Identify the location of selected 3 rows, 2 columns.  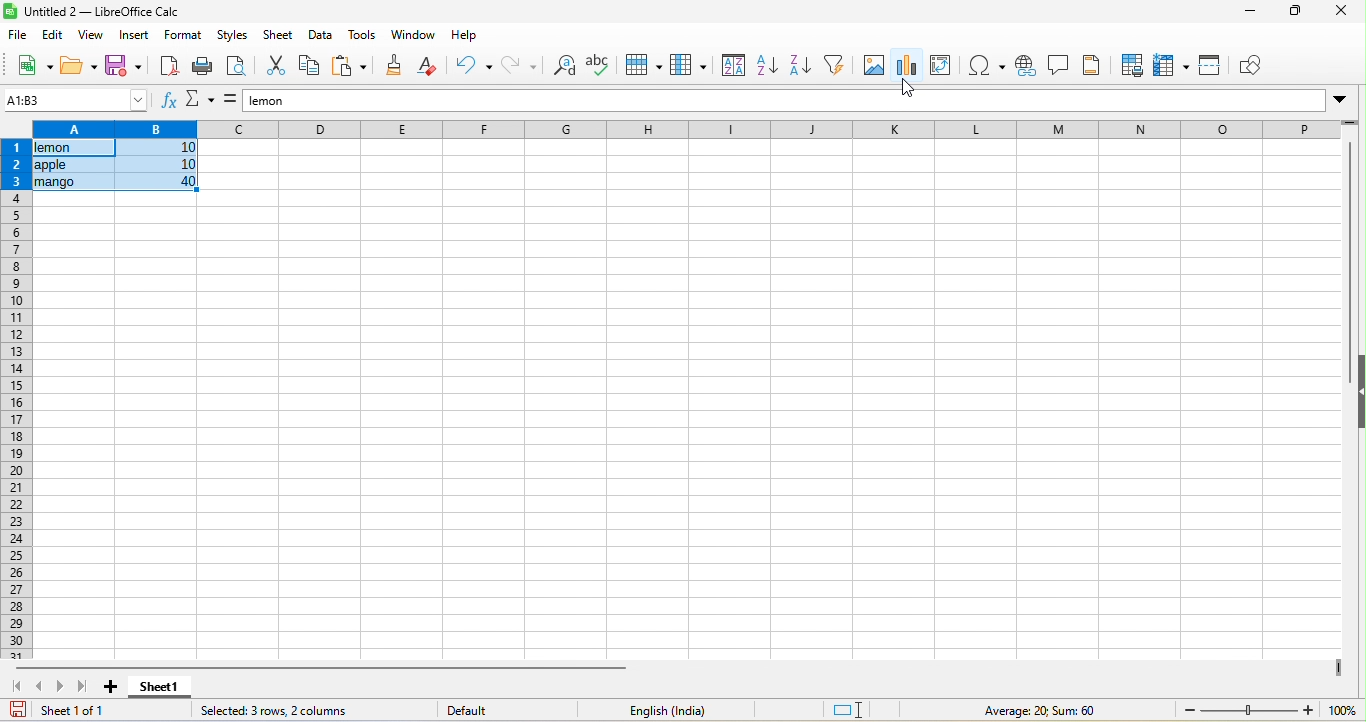
(290, 711).